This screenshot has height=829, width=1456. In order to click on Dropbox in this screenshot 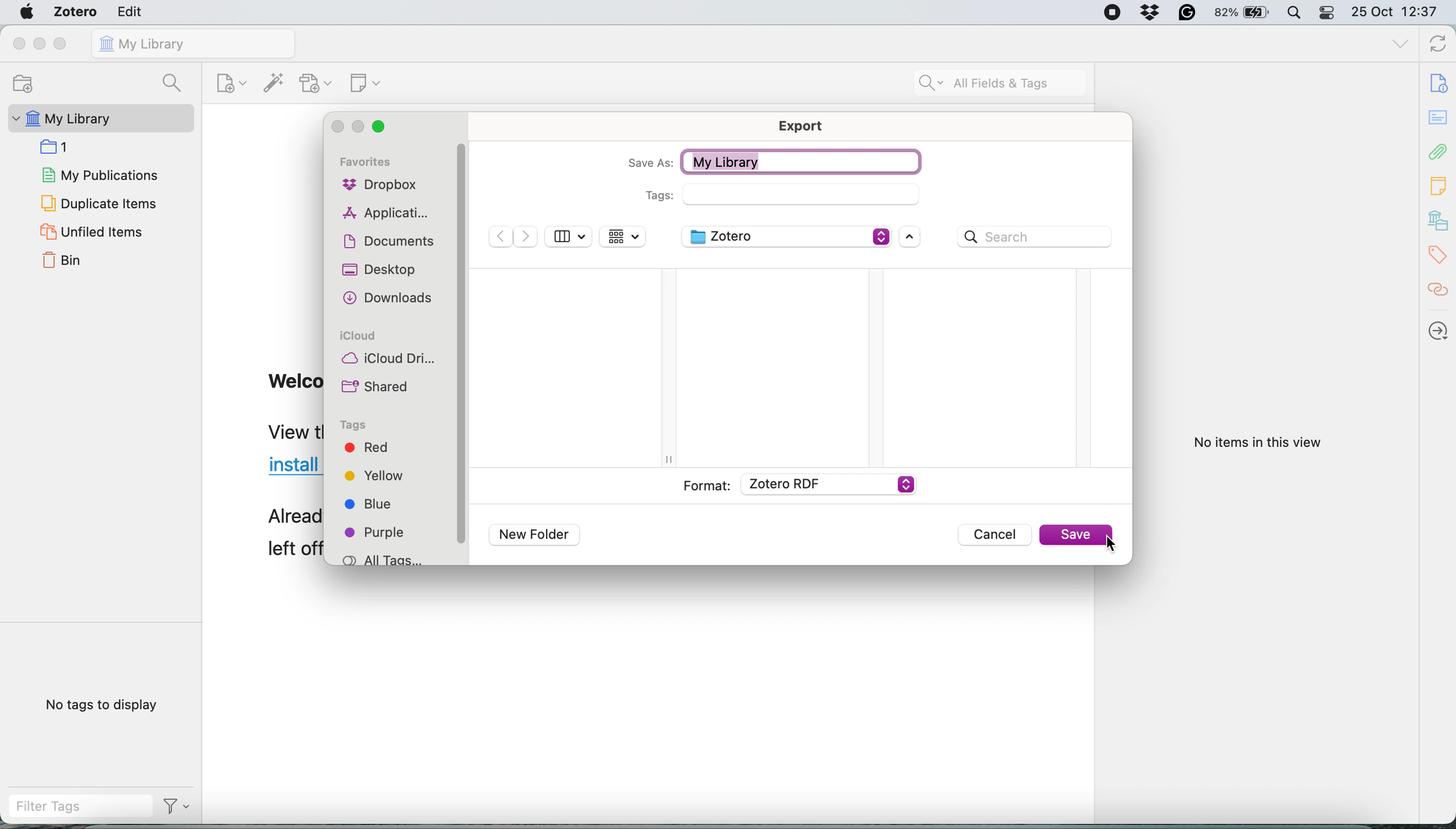, I will do `click(1149, 11)`.